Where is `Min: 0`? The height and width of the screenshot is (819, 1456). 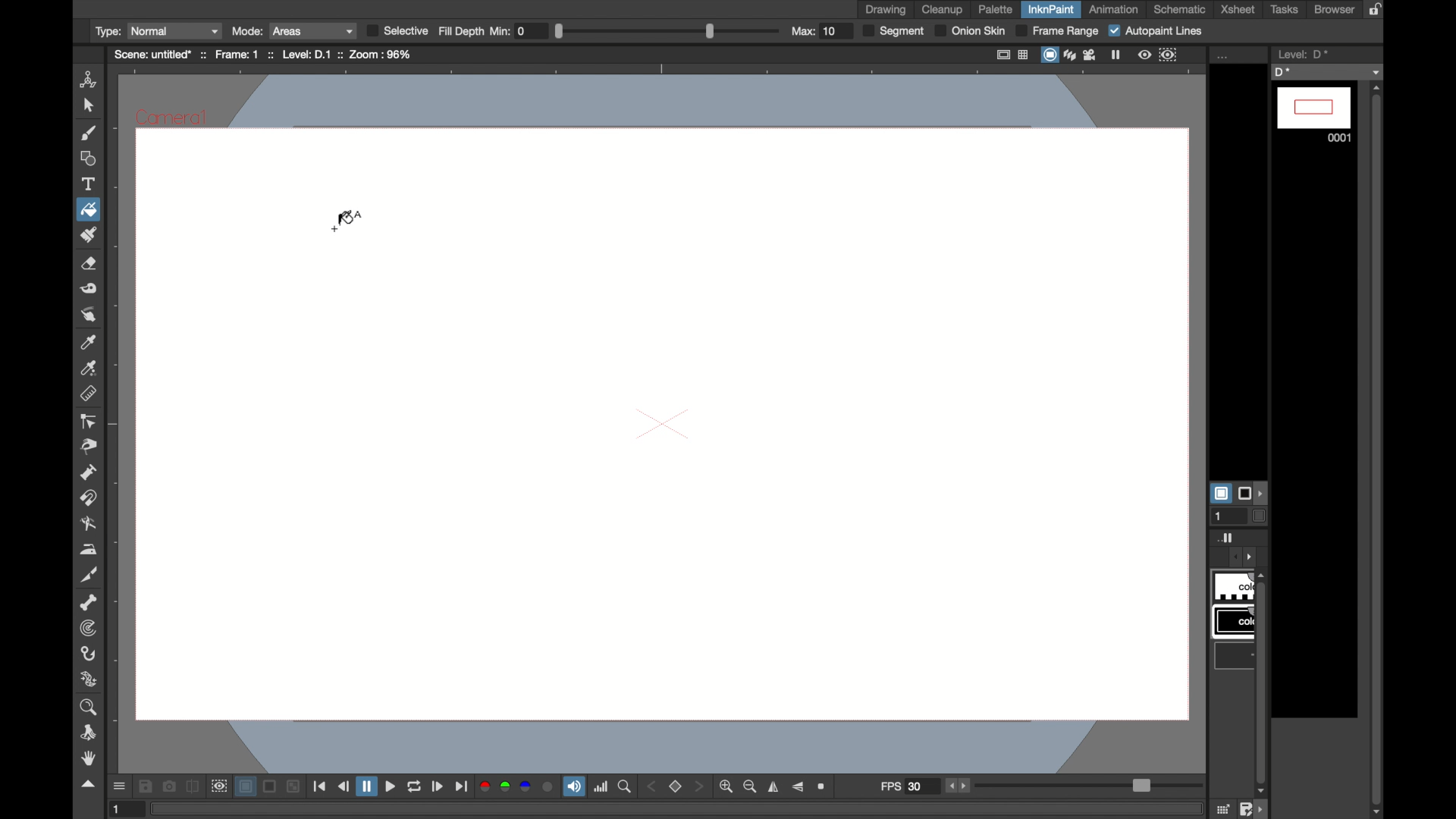 Min: 0 is located at coordinates (520, 30).